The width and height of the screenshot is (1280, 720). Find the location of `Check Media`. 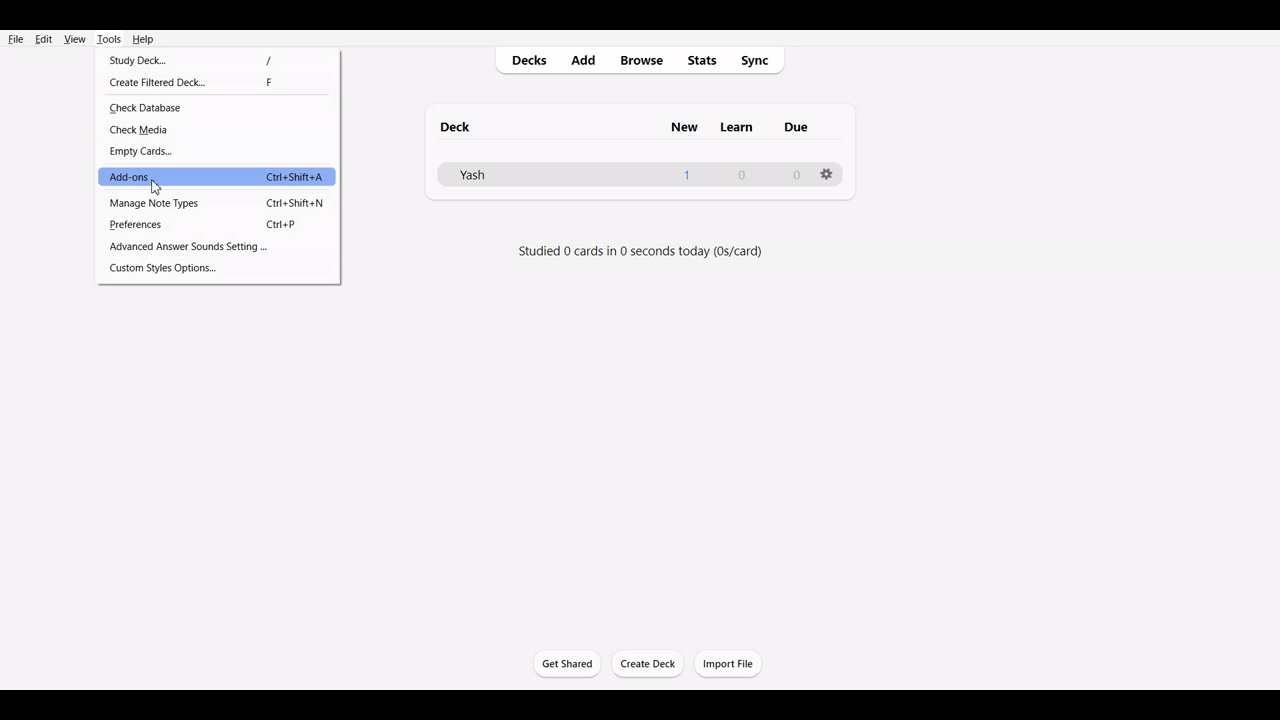

Check Media is located at coordinates (217, 130).